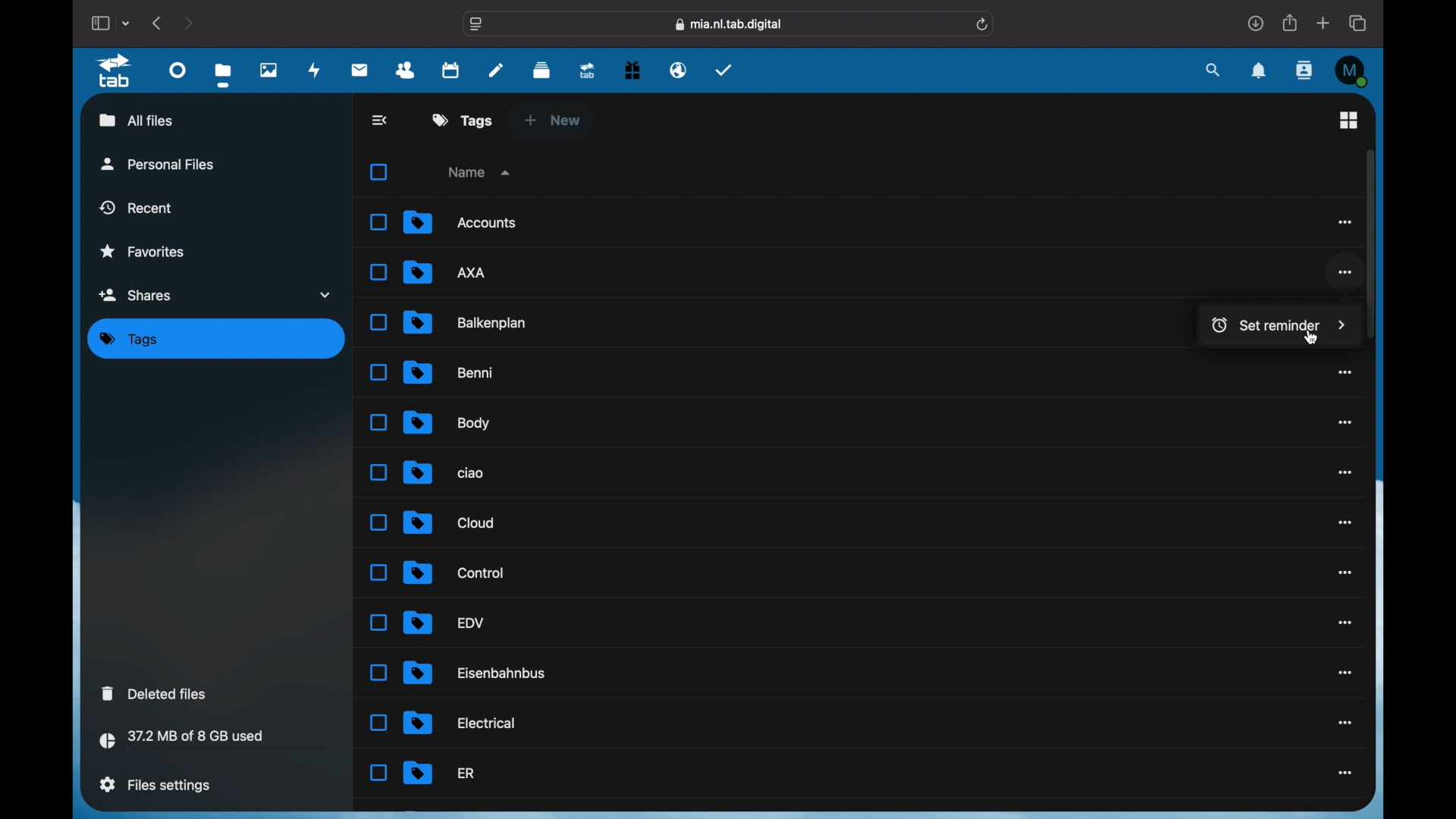 This screenshot has height=819, width=1456. Describe the element at coordinates (137, 207) in the screenshot. I see `recent` at that location.